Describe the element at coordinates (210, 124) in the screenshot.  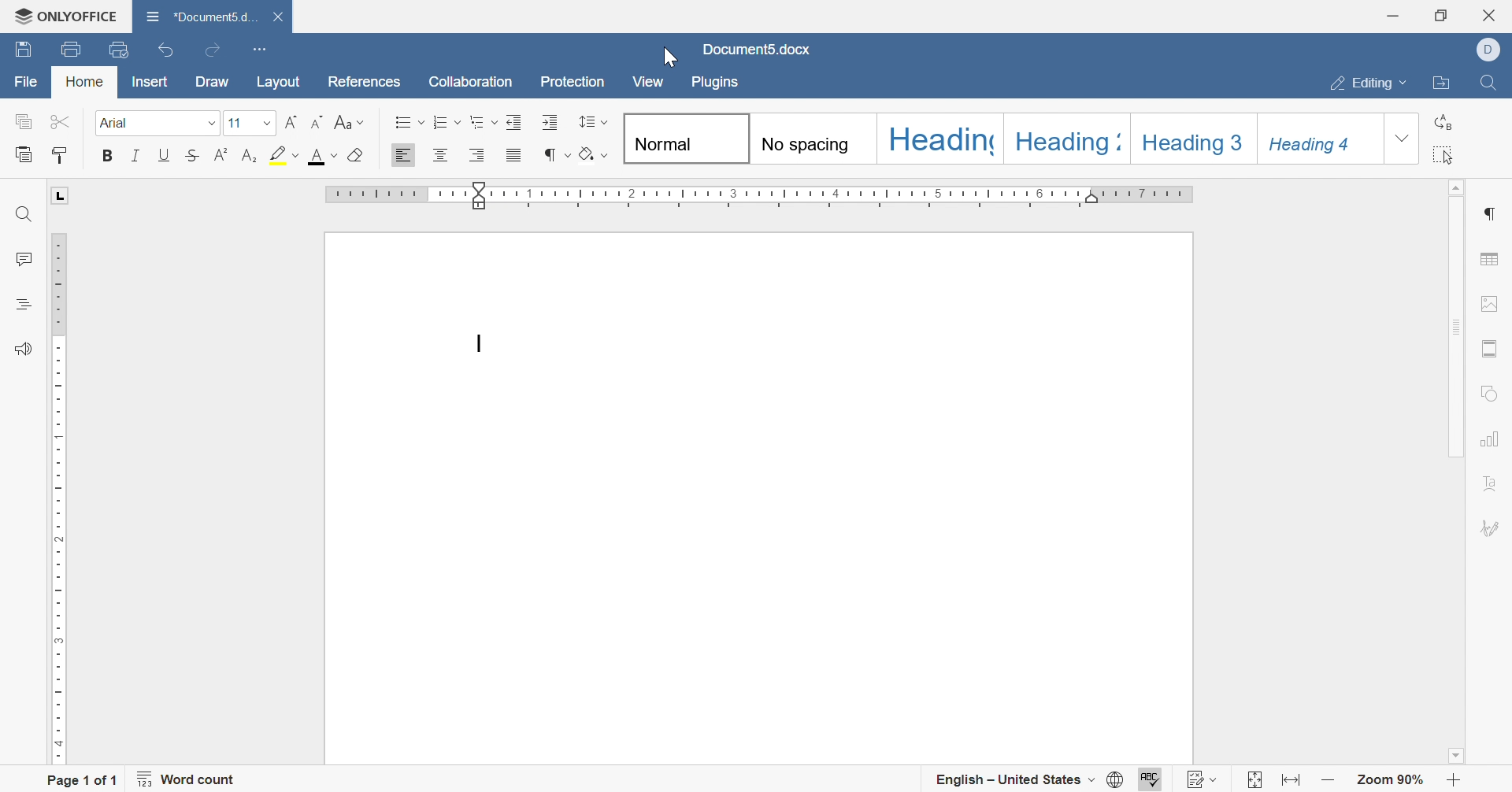
I see `drop down` at that location.